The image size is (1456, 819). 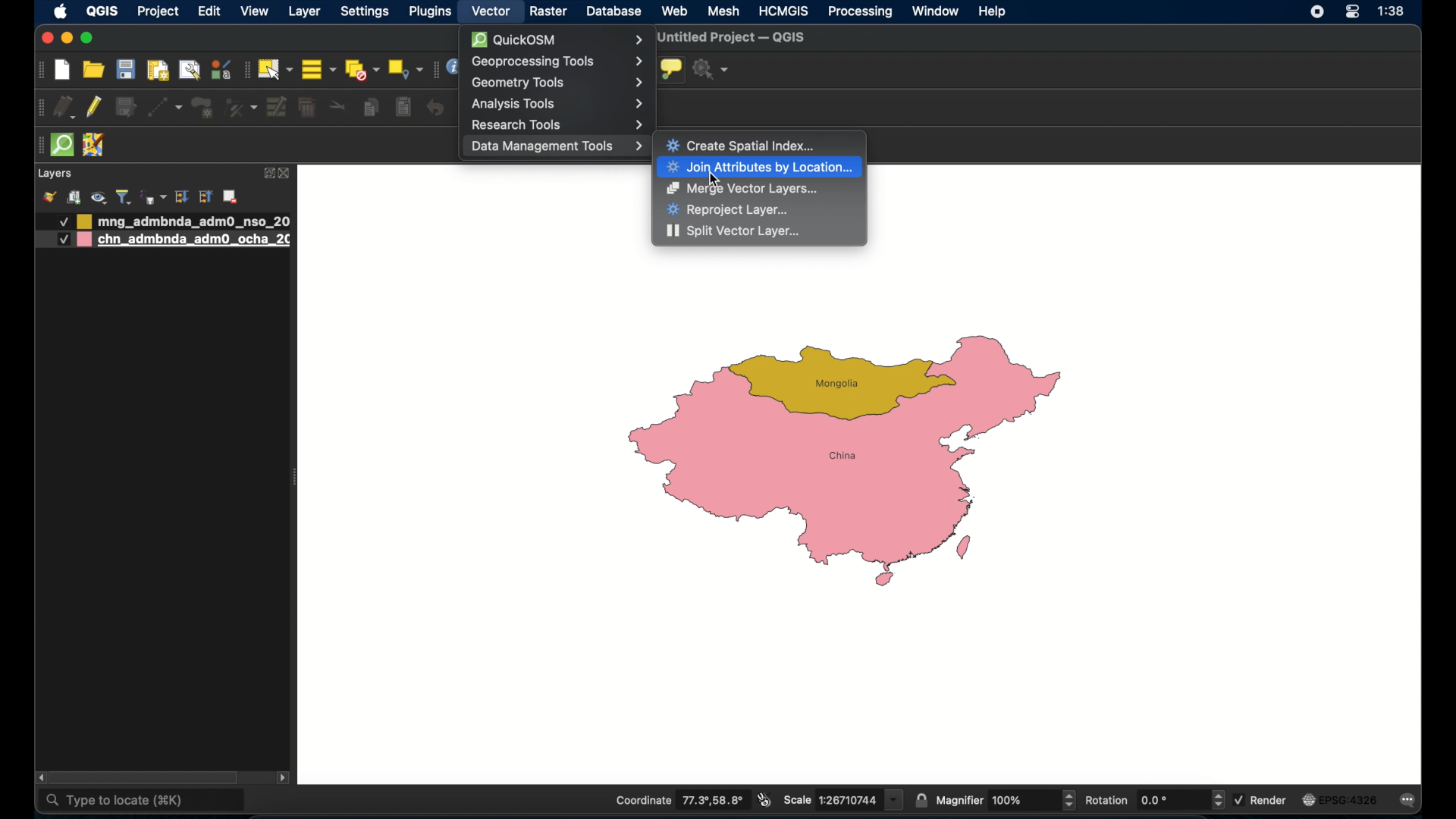 I want to click on toggle editing, so click(x=95, y=109).